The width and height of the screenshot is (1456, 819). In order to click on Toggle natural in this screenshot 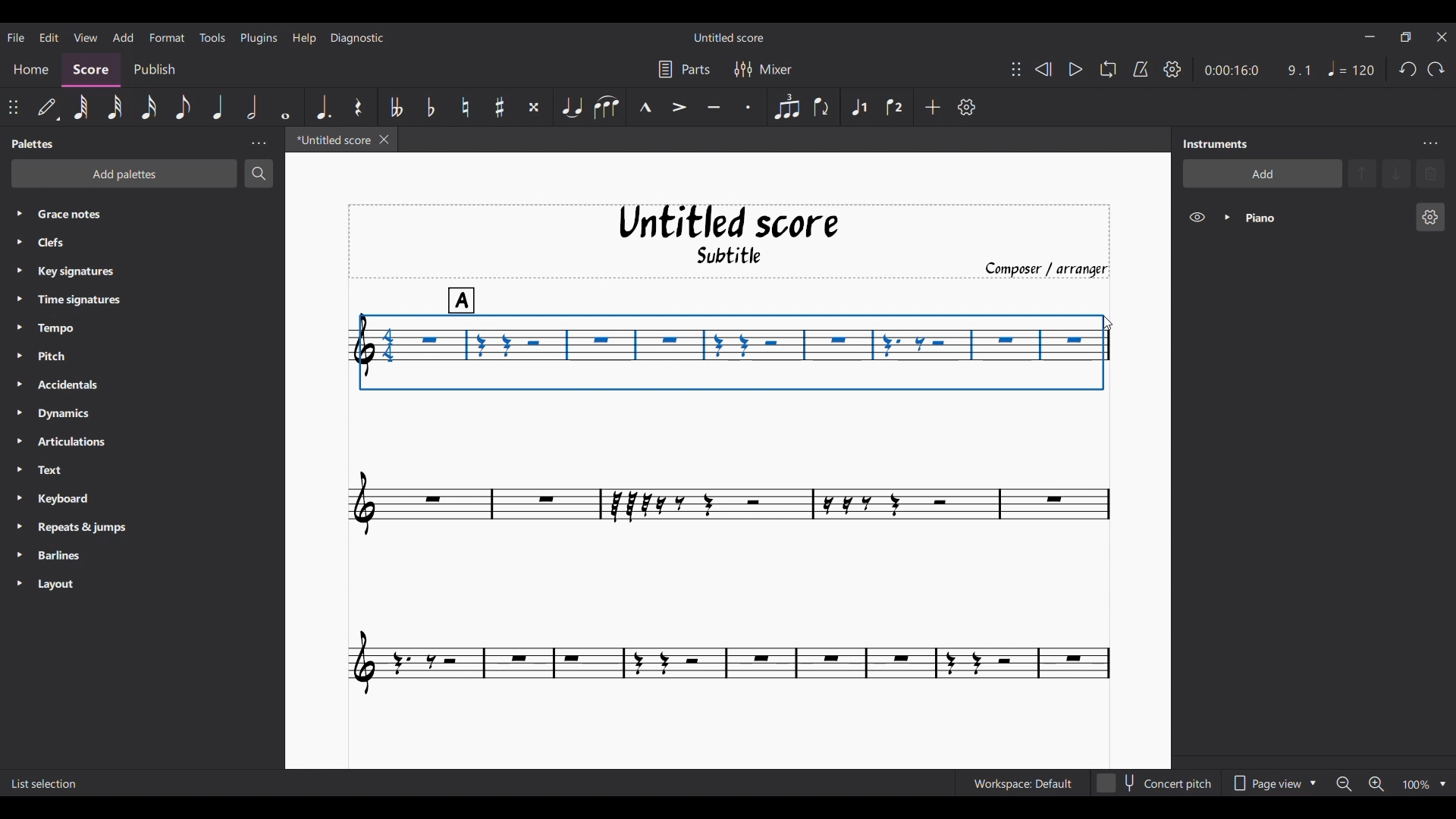, I will do `click(465, 107)`.